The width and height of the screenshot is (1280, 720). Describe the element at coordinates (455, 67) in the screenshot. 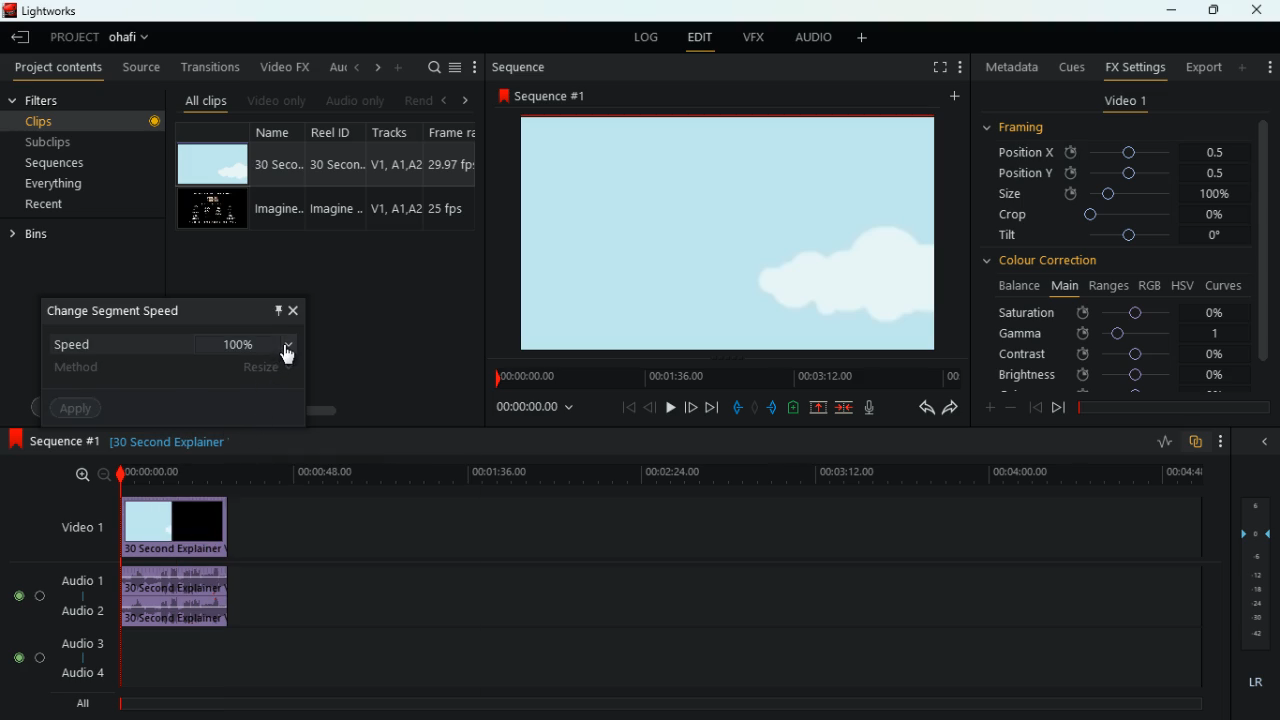

I see `menu` at that location.